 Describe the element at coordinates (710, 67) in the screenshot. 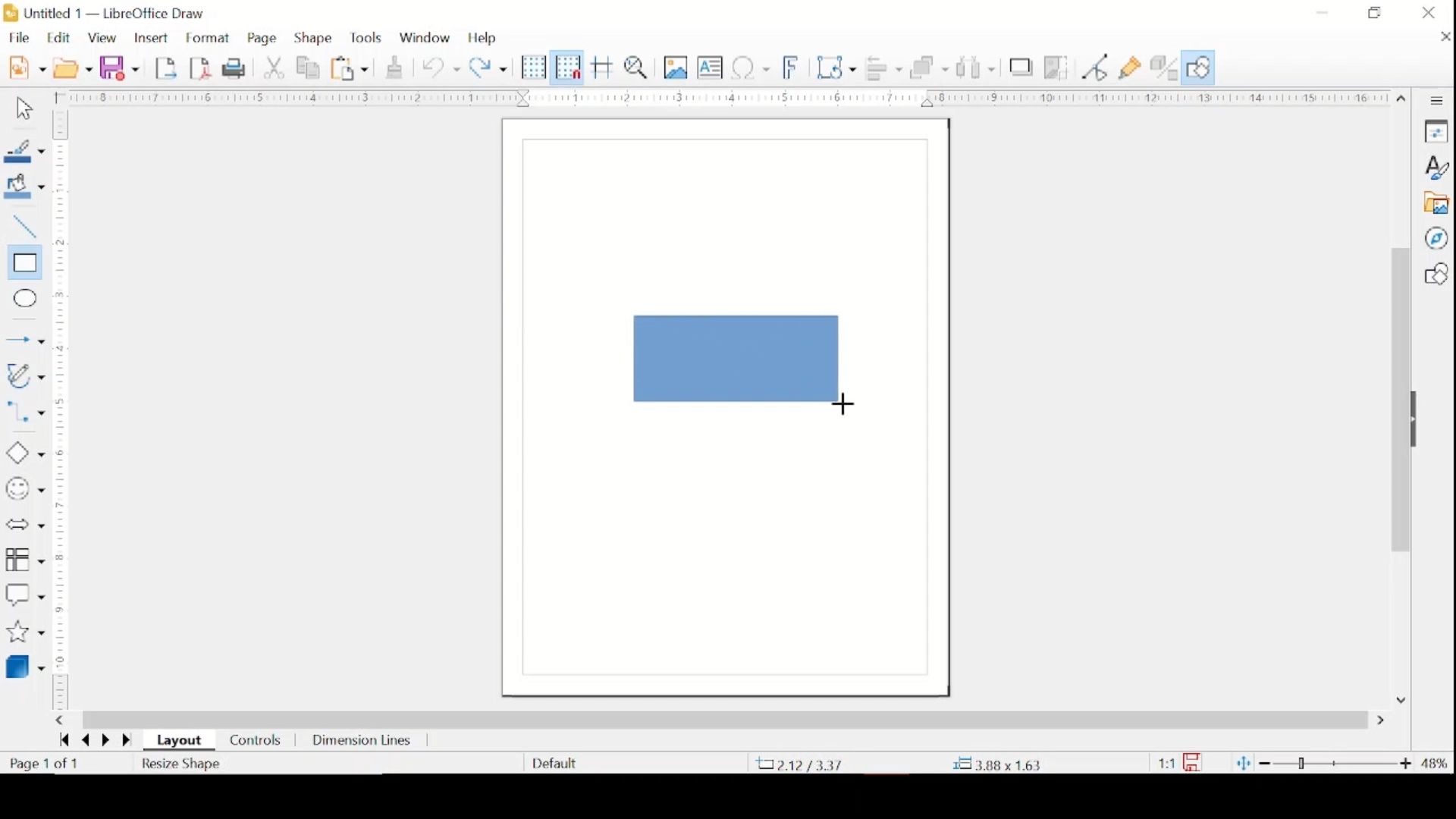

I see `insert textbox` at that location.